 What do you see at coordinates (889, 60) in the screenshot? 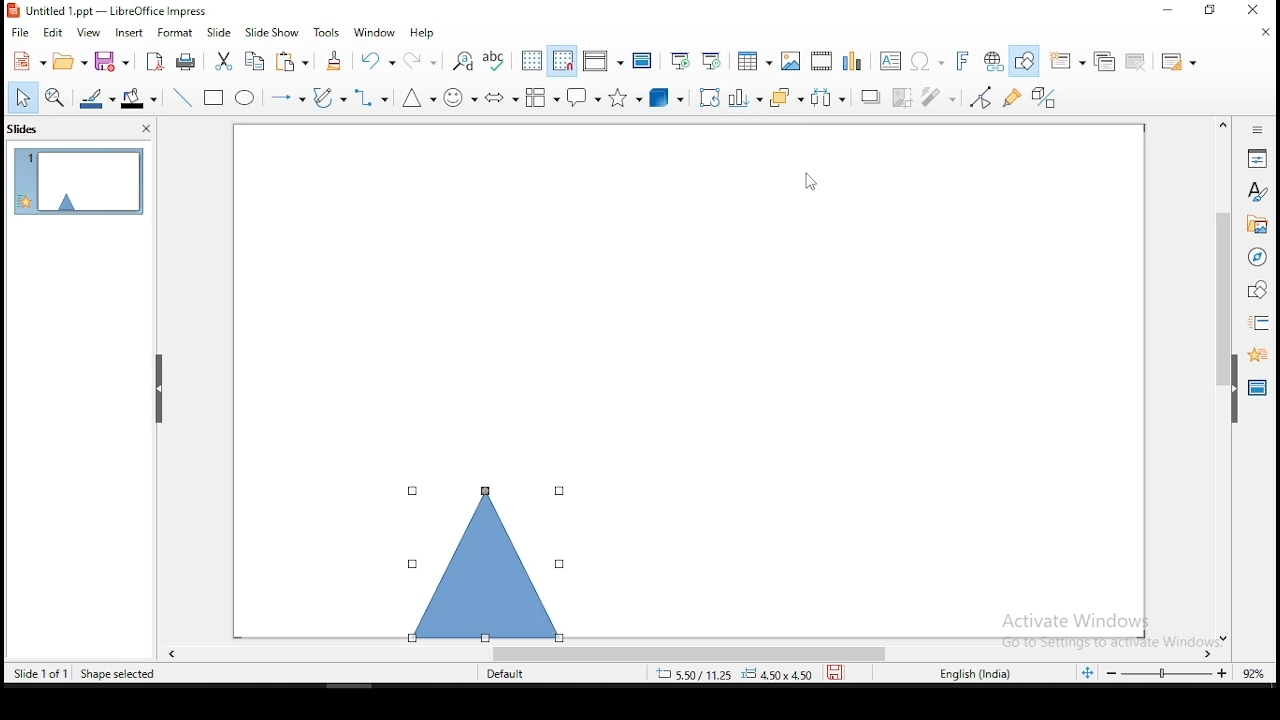
I see `text box` at bounding box center [889, 60].